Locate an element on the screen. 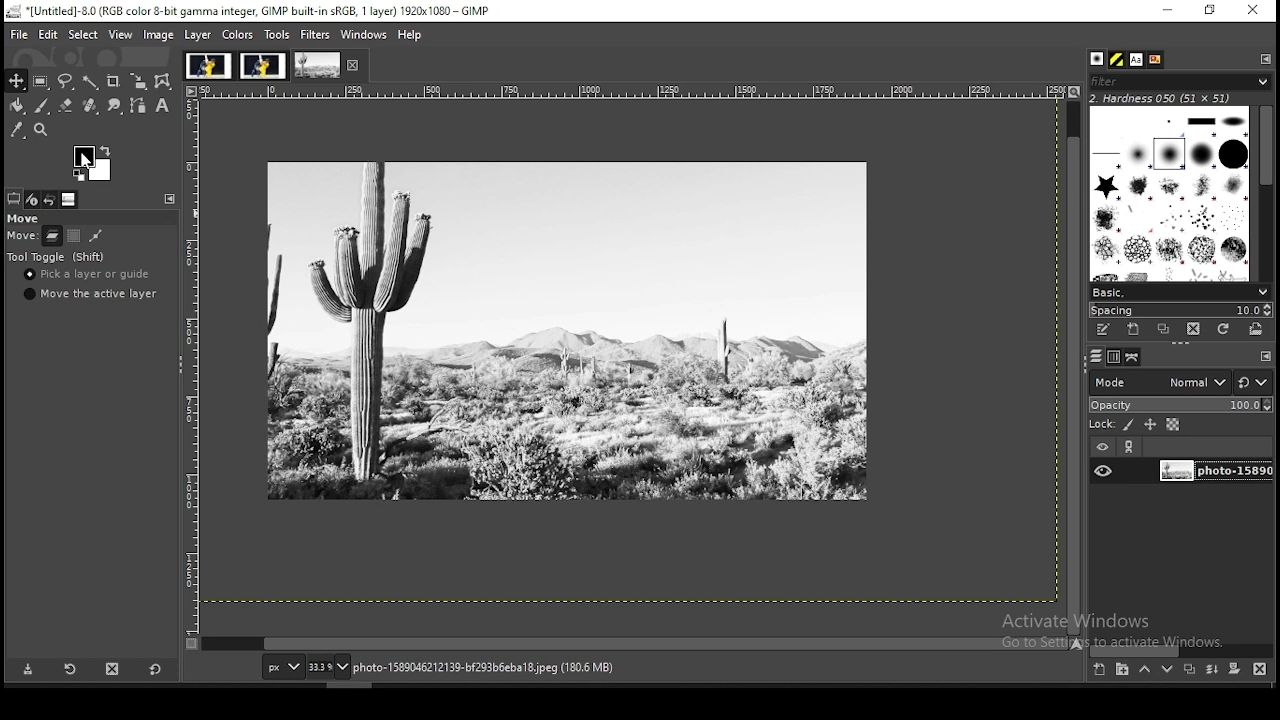 The width and height of the screenshot is (1280, 720). duplicate brush is located at coordinates (1163, 330).